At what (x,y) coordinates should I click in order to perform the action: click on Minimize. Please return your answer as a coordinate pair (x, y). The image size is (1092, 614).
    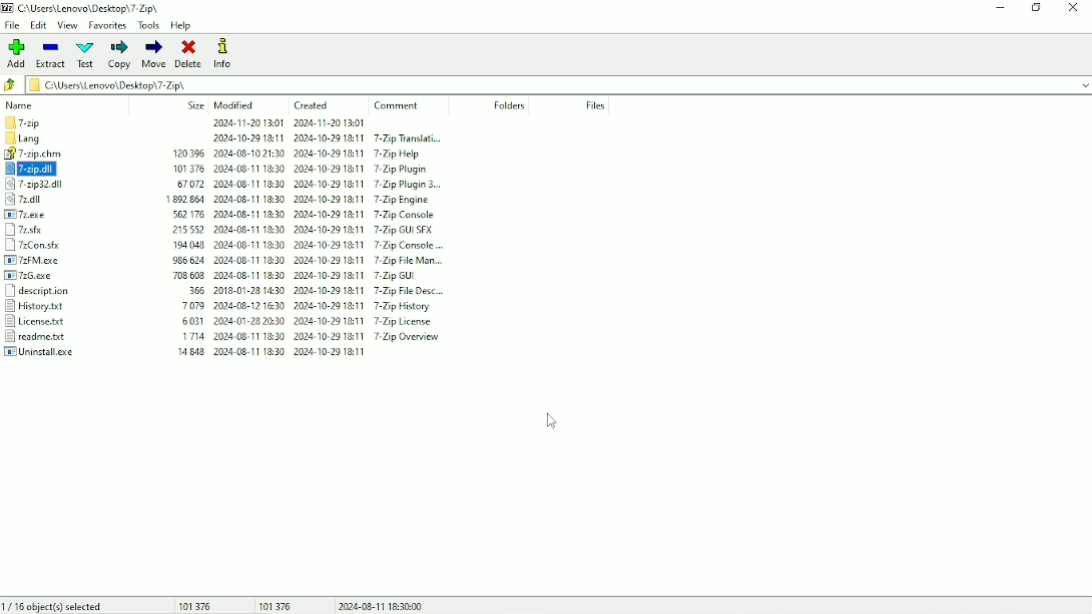
    Looking at the image, I should click on (1000, 7).